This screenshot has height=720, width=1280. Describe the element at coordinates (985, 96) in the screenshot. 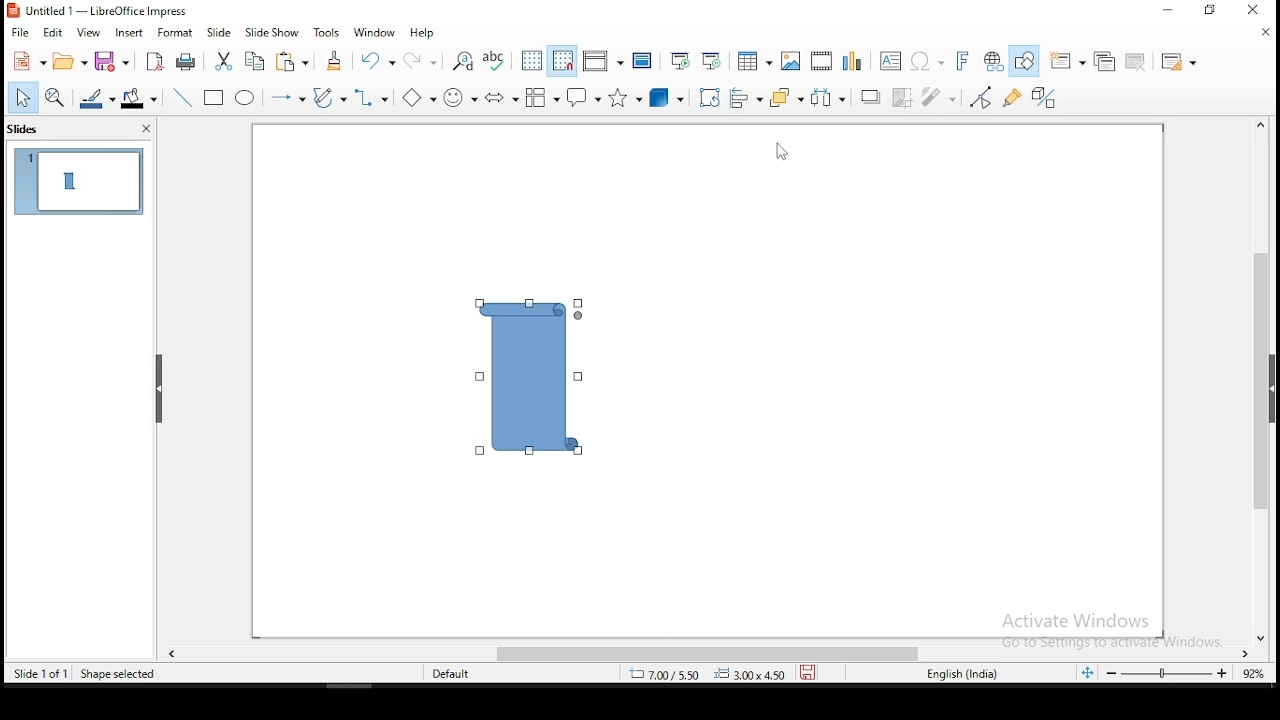

I see `toggle point edit mode` at that location.